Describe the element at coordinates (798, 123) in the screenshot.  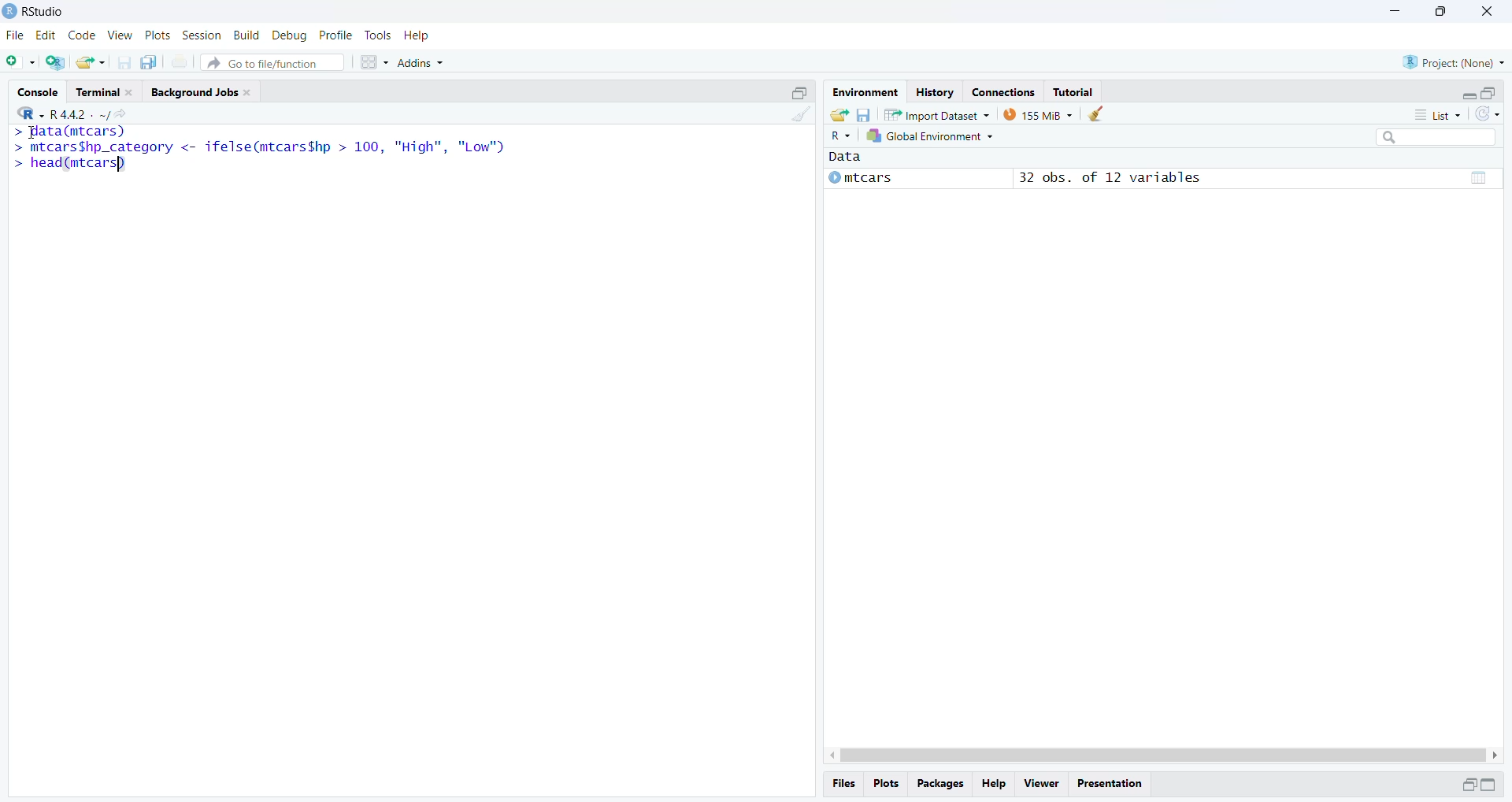
I see `Clear console (Ctrl +L)` at that location.